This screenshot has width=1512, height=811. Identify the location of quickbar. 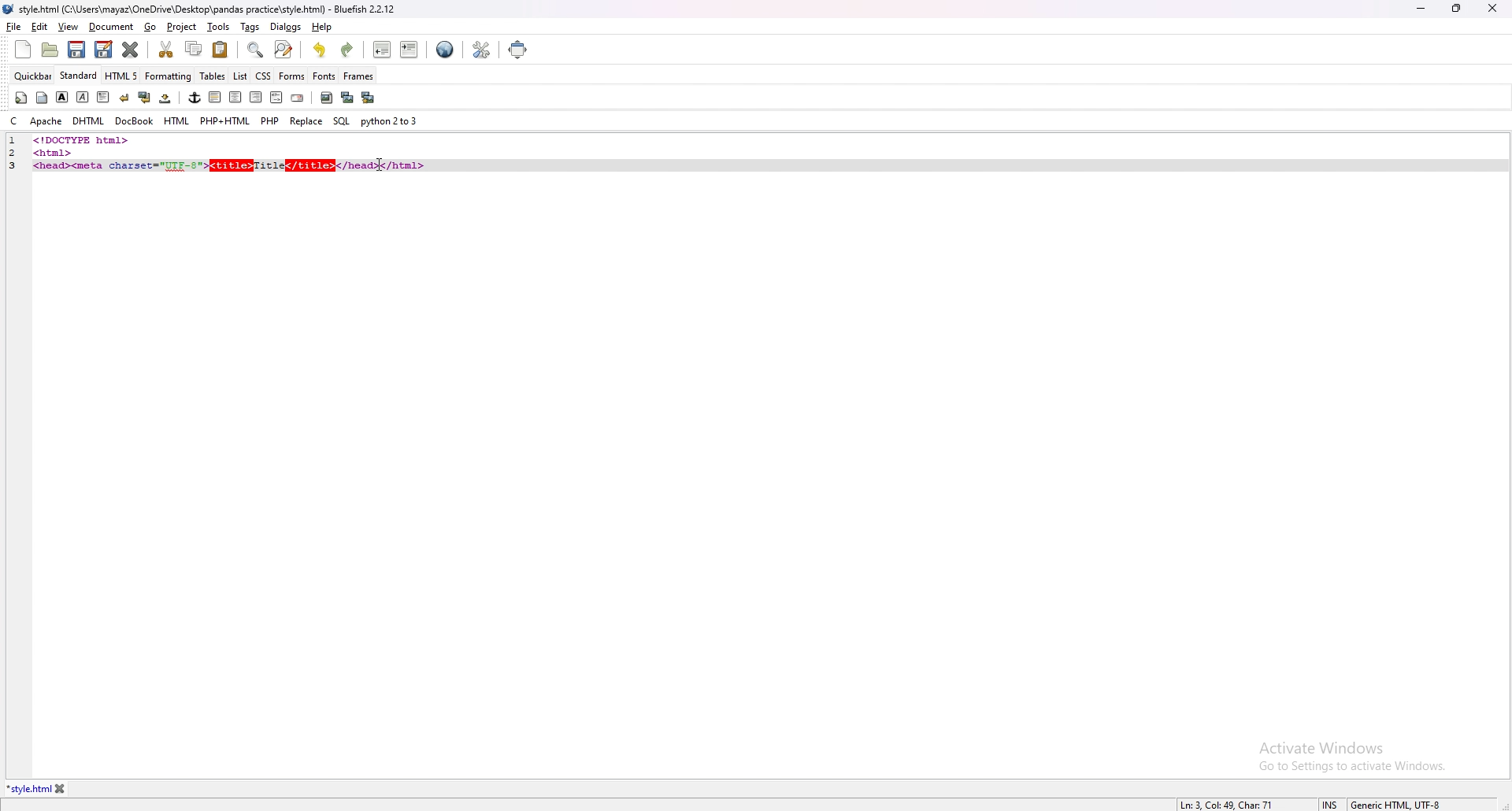
(34, 76).